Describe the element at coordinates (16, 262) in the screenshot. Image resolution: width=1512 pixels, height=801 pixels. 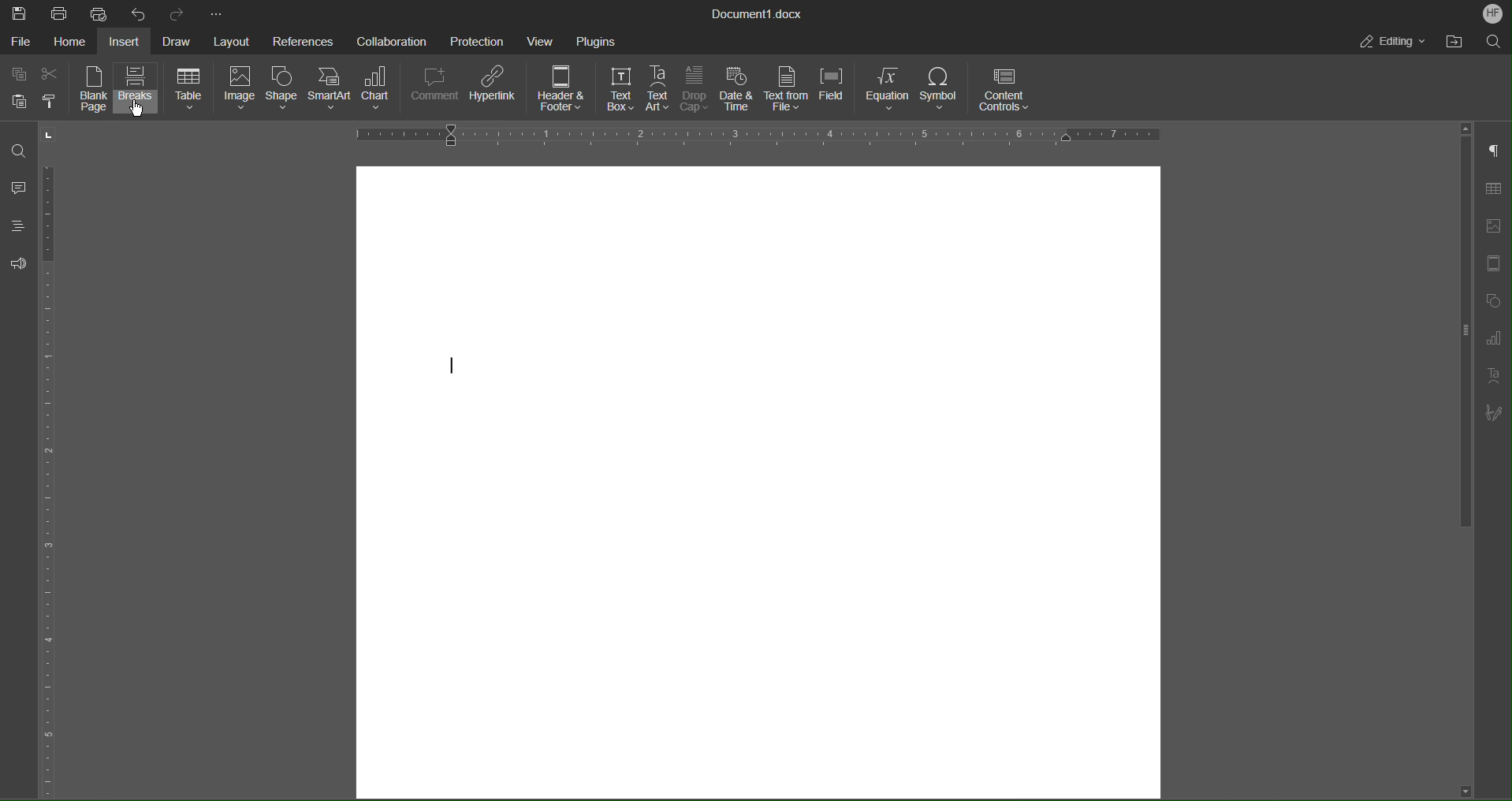
I see `Feedback and Support` at that location.